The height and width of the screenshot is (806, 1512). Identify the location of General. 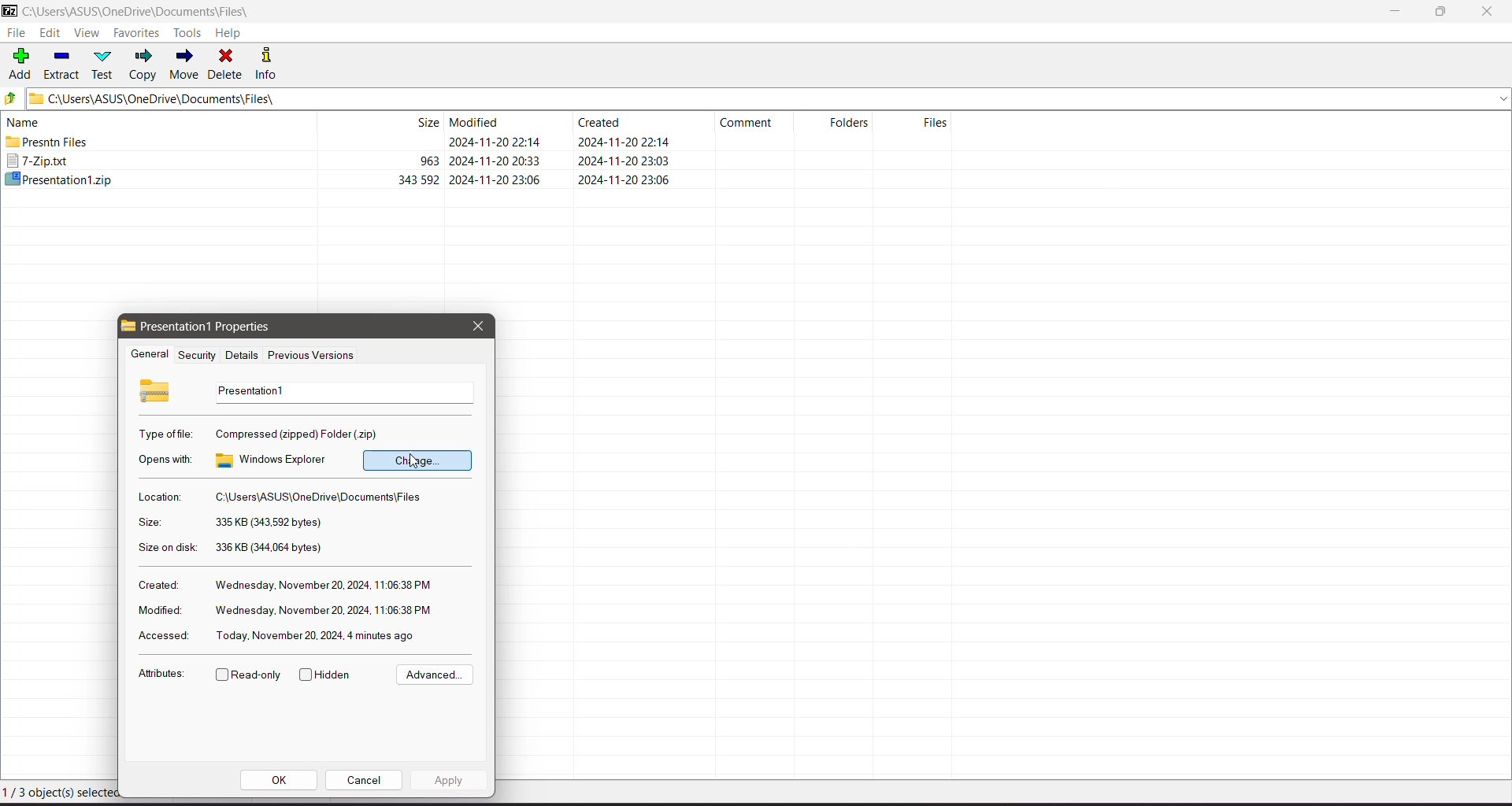
(147, 355).